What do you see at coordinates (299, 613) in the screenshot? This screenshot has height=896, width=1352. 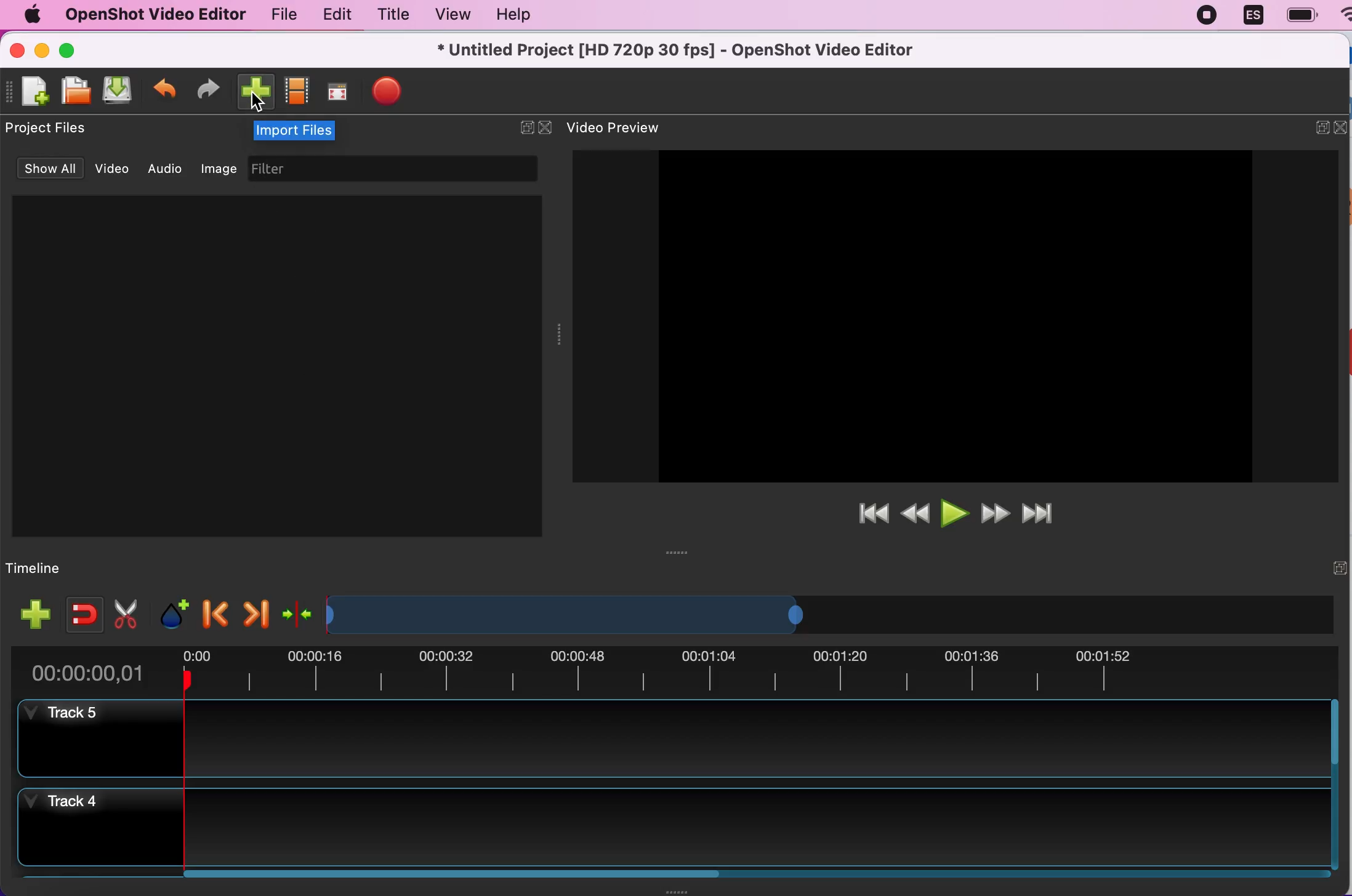 I see `center the timeline` at bounding box center [299, 613].